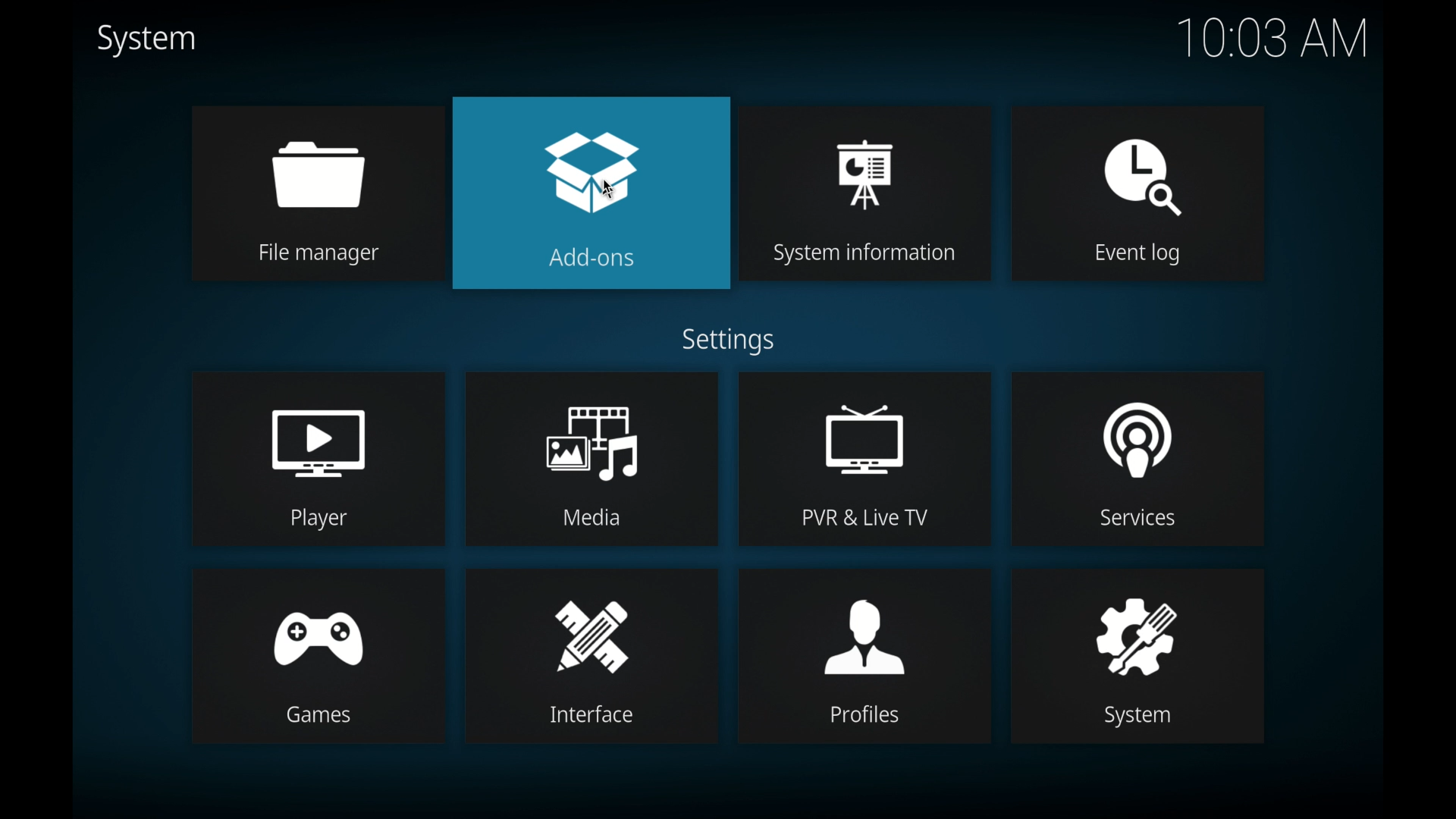 The image size is (1456, 819). I want to click on Cursor, so click(611, 194).